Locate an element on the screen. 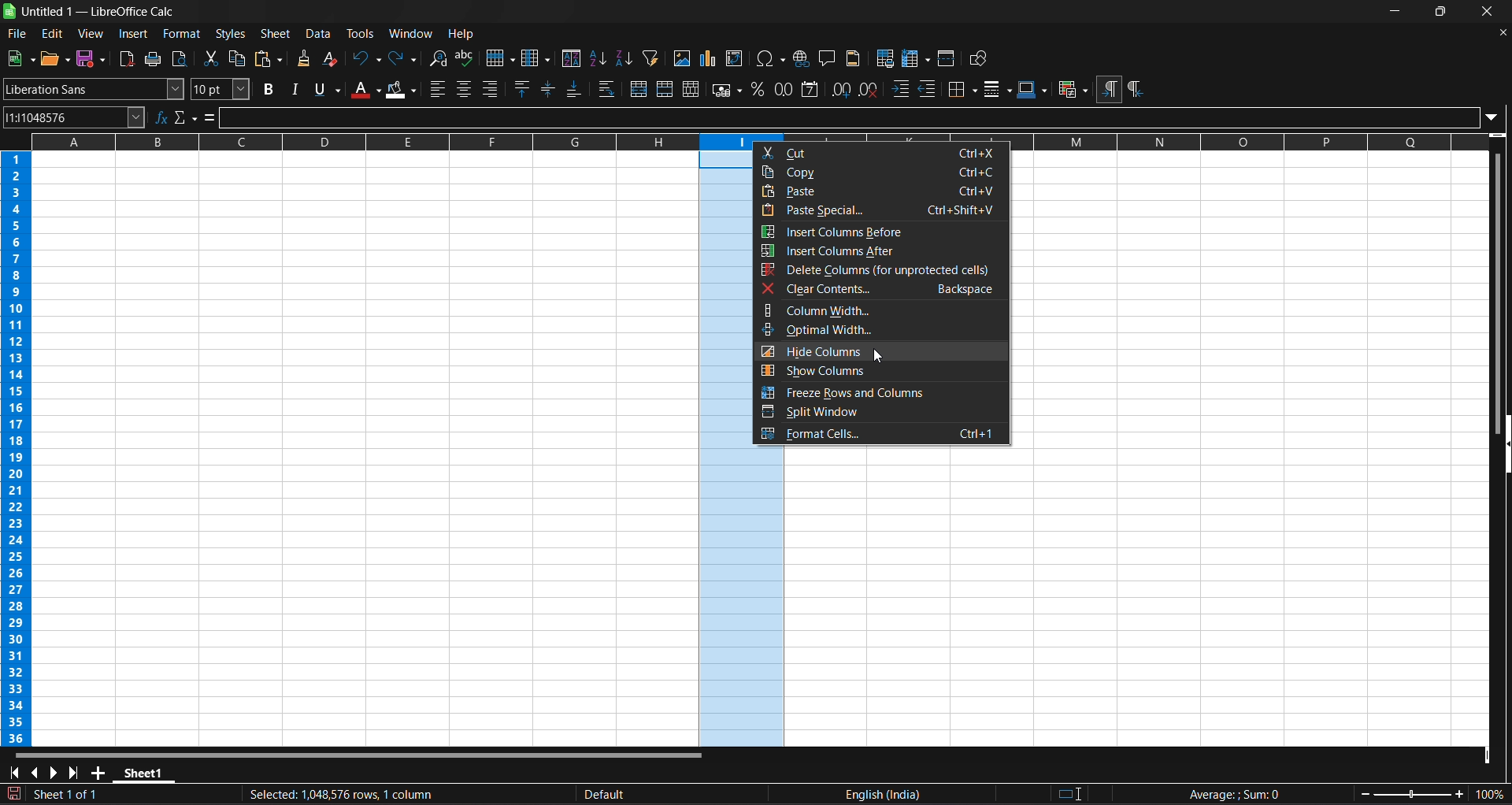  sort ascending is located at coordinates (598, 57).